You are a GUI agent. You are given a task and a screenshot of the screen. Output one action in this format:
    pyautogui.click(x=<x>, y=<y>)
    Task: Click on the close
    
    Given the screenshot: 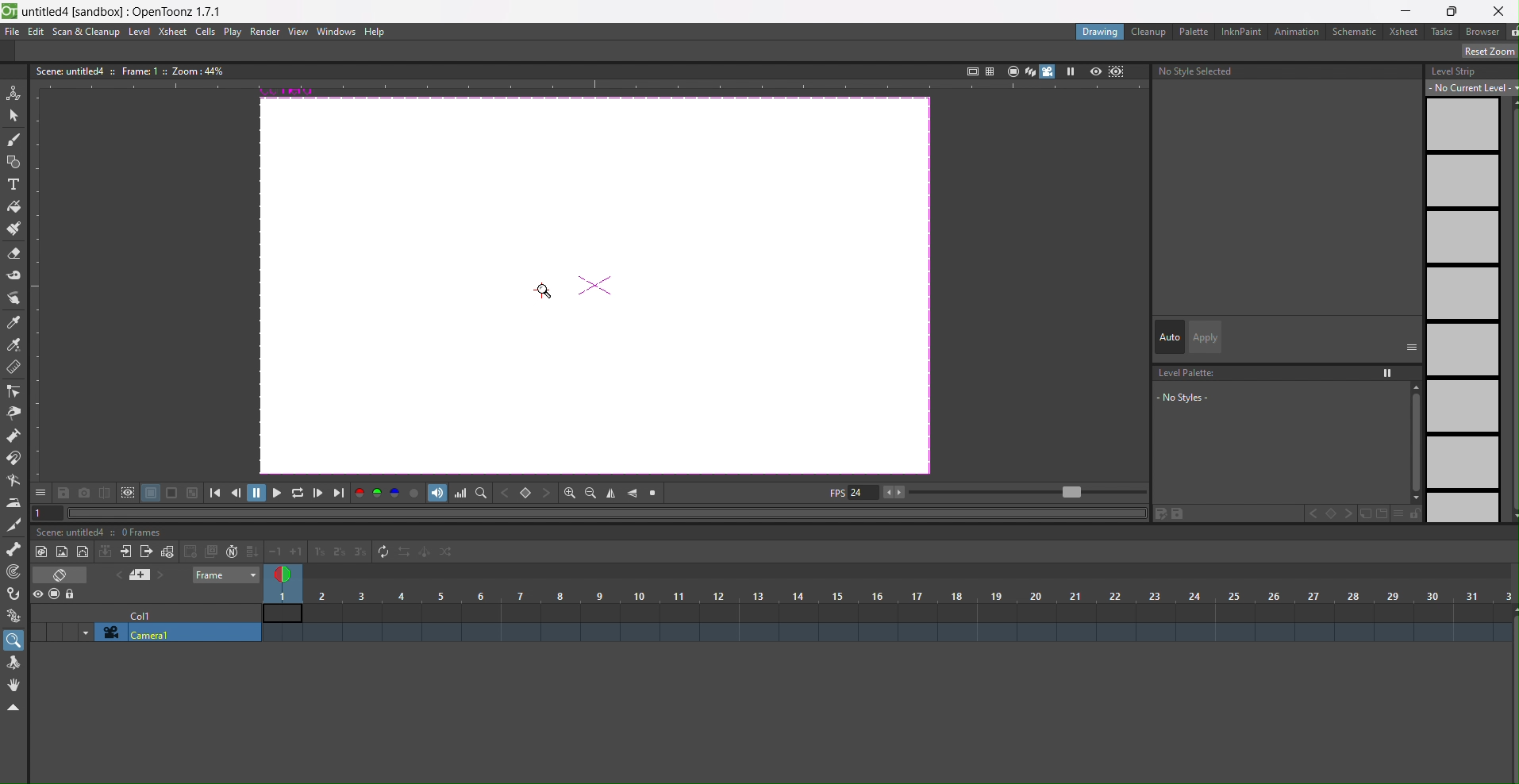 What is the action you would take?
    pyautogui.click(x=1499, y=10)
    